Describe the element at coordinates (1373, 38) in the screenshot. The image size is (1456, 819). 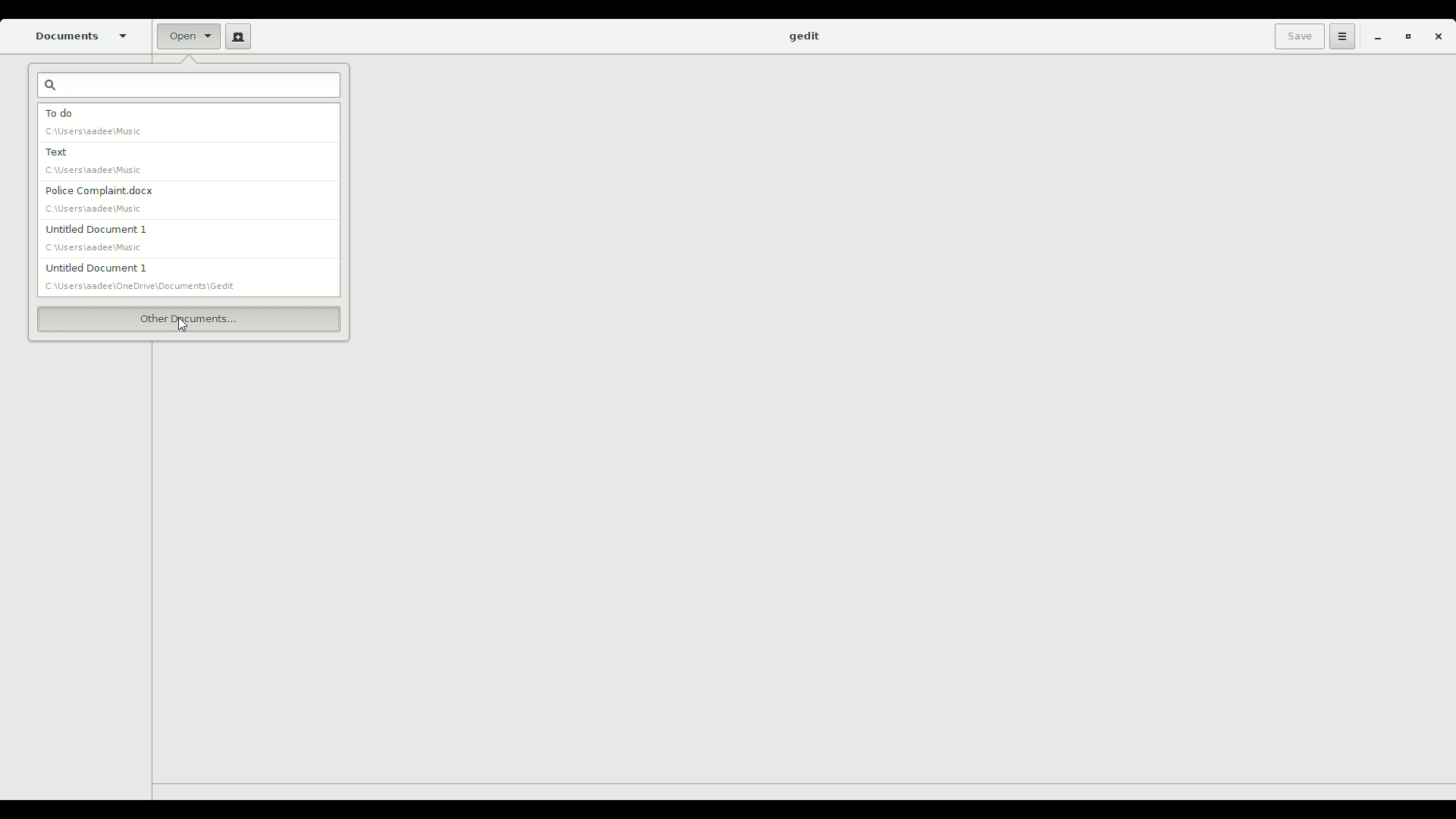
I see `Minimize` at that location.